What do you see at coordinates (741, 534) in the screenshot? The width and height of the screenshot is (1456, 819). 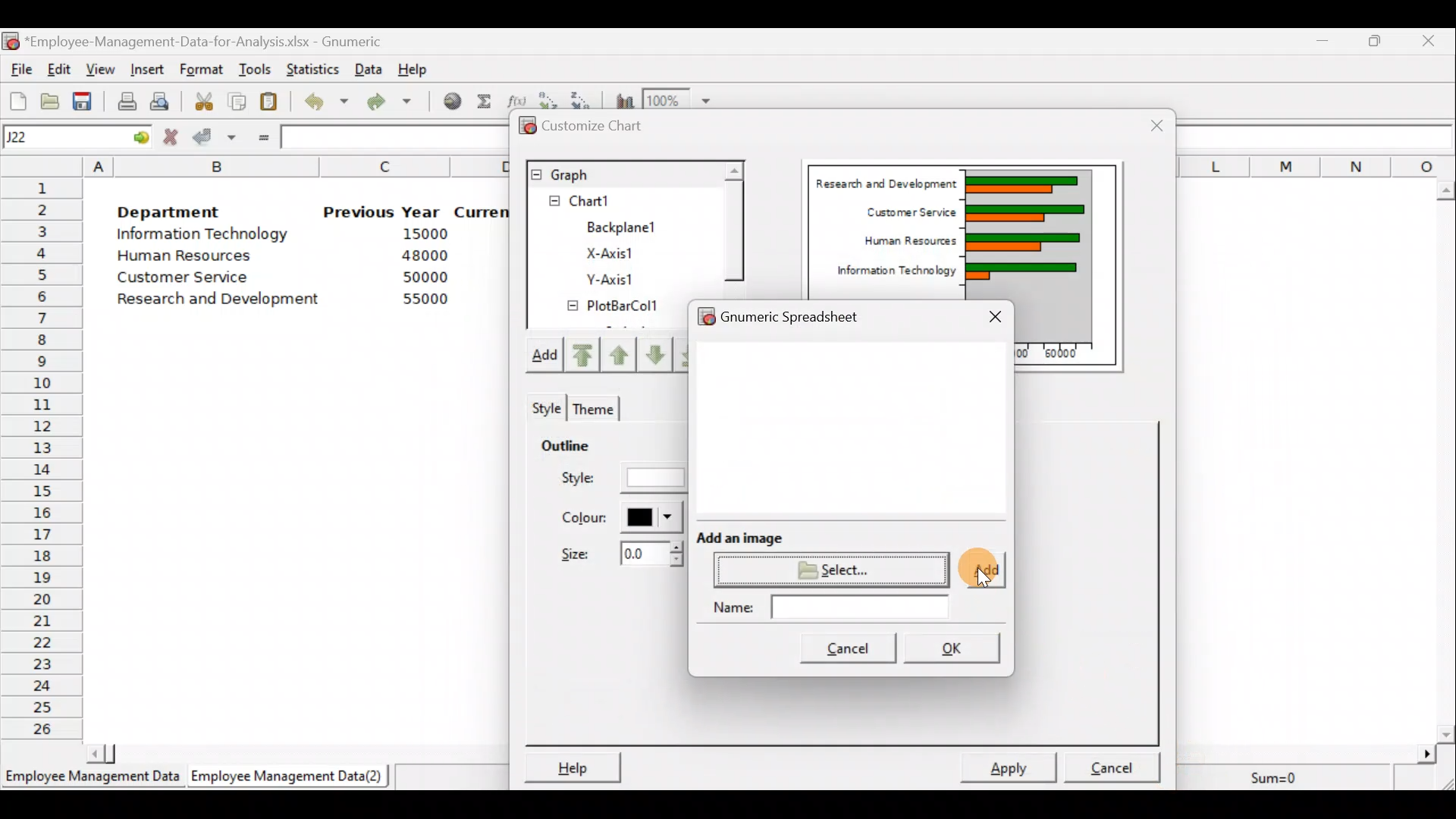 I see `Add an image` at bounding box center [741, 534].